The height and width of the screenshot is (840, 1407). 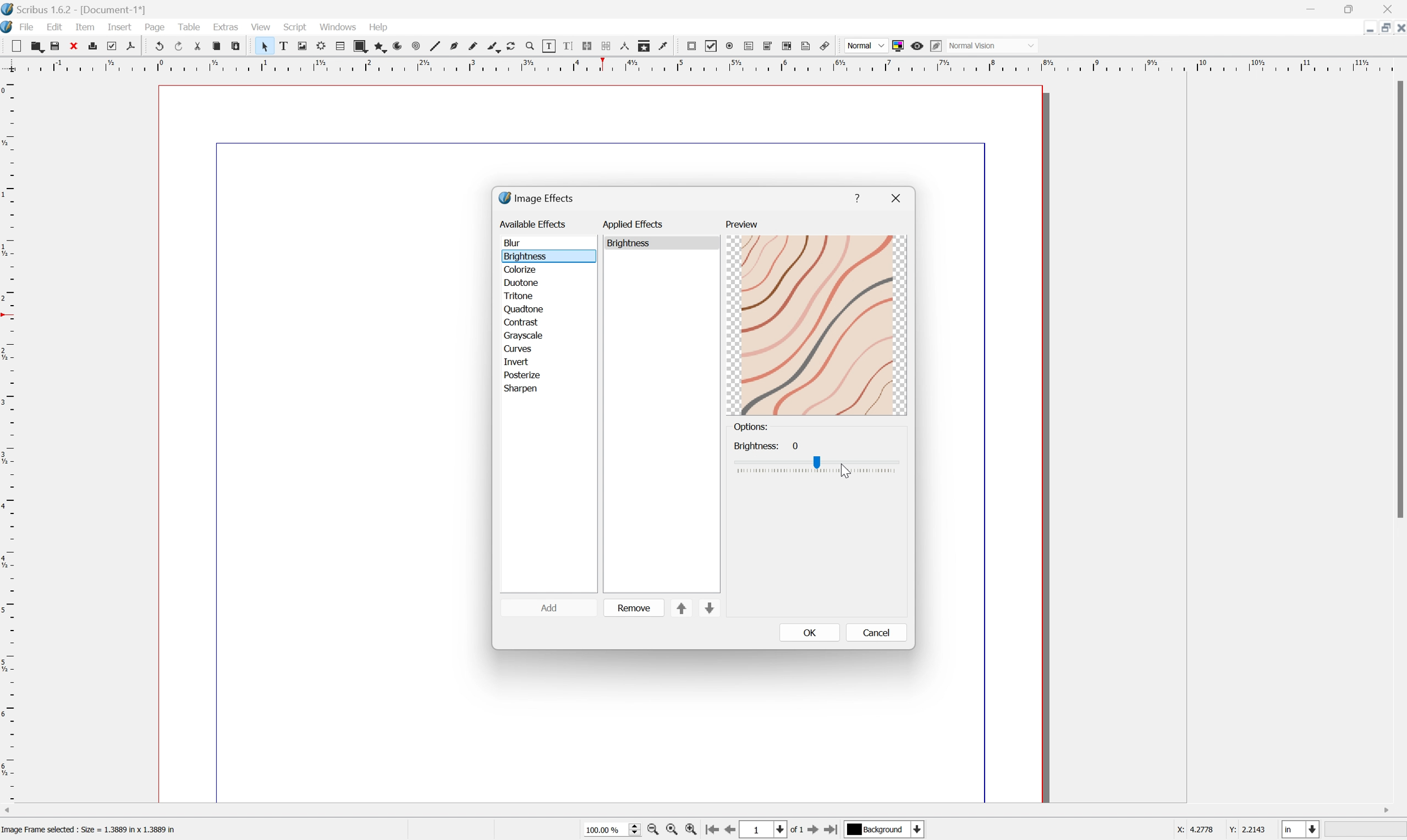 What do you see at coordinates (523, 307) in the screenshot?
I see `quadtone` at bounding box center [523, 307].